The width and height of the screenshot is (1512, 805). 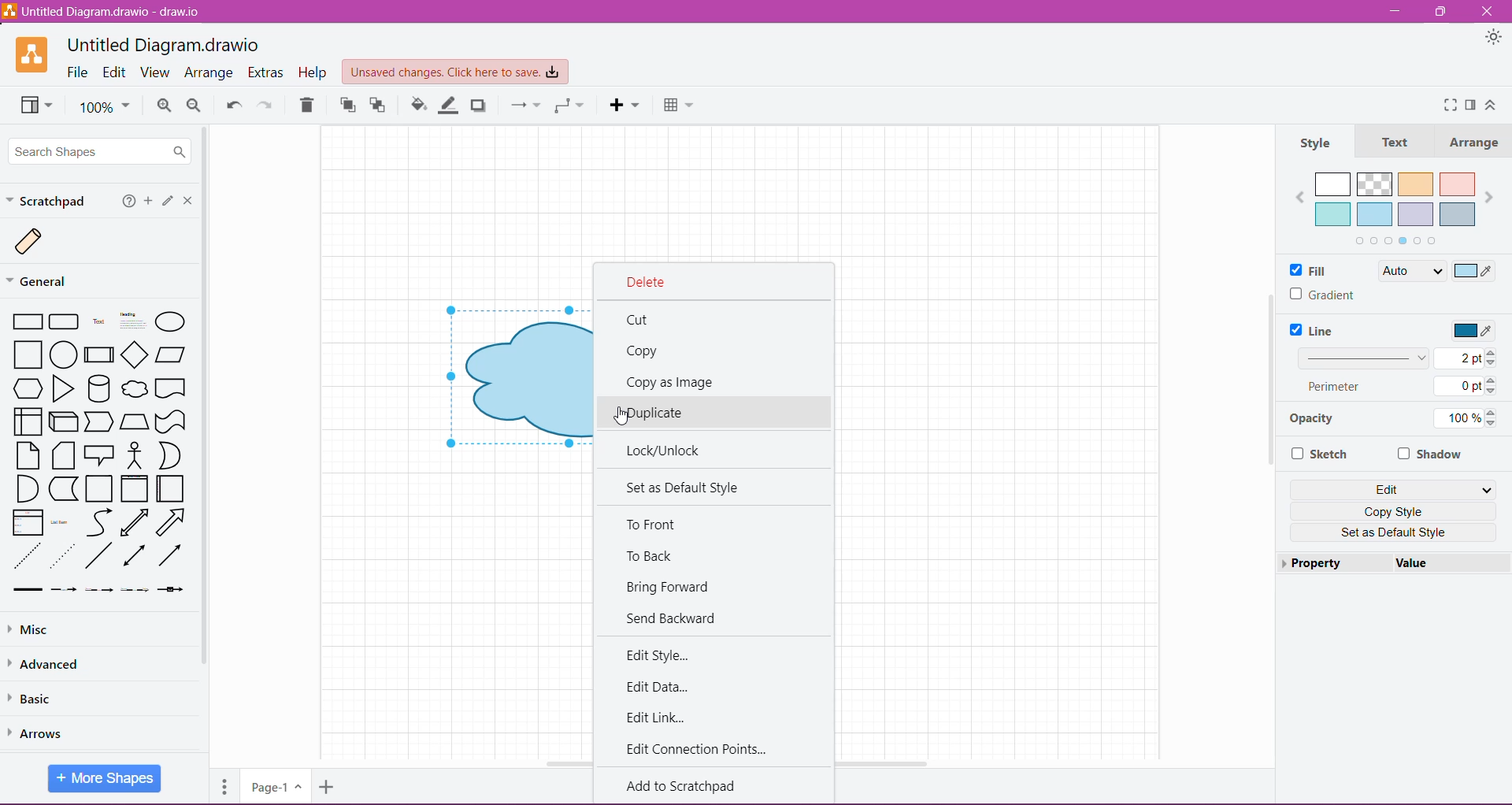 I want to click on Line Color, so click(x=449, y=106).